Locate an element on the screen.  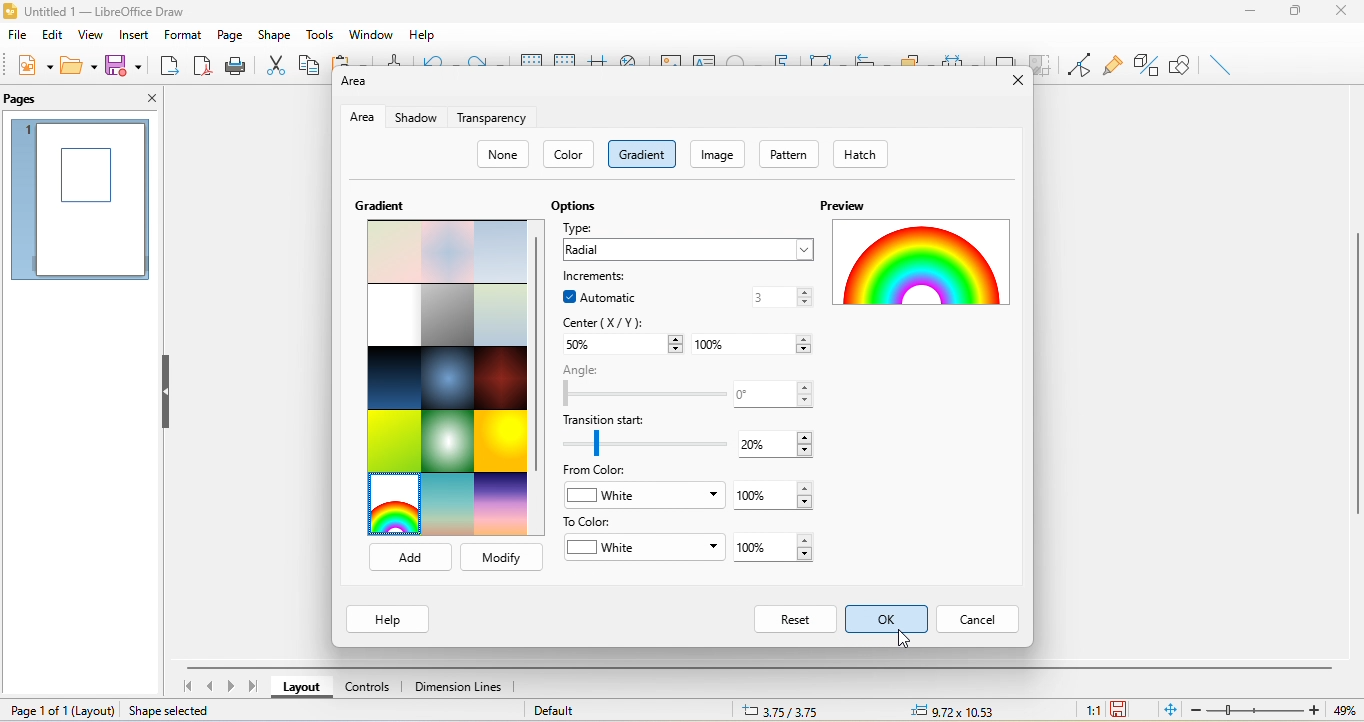
close is located at coordinates (1342, 16).